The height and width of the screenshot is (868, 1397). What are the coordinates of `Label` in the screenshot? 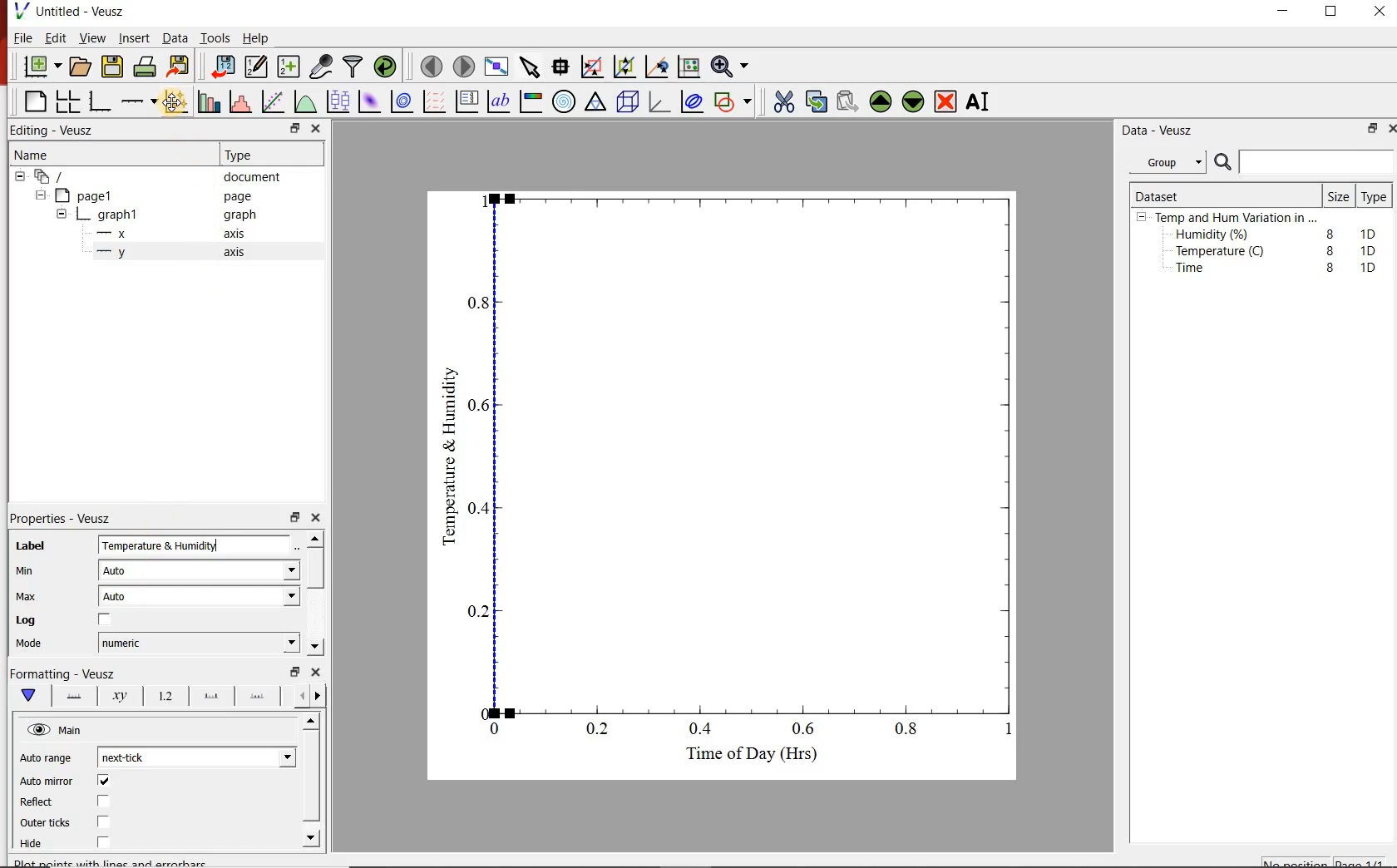 It's located at (42, 542).